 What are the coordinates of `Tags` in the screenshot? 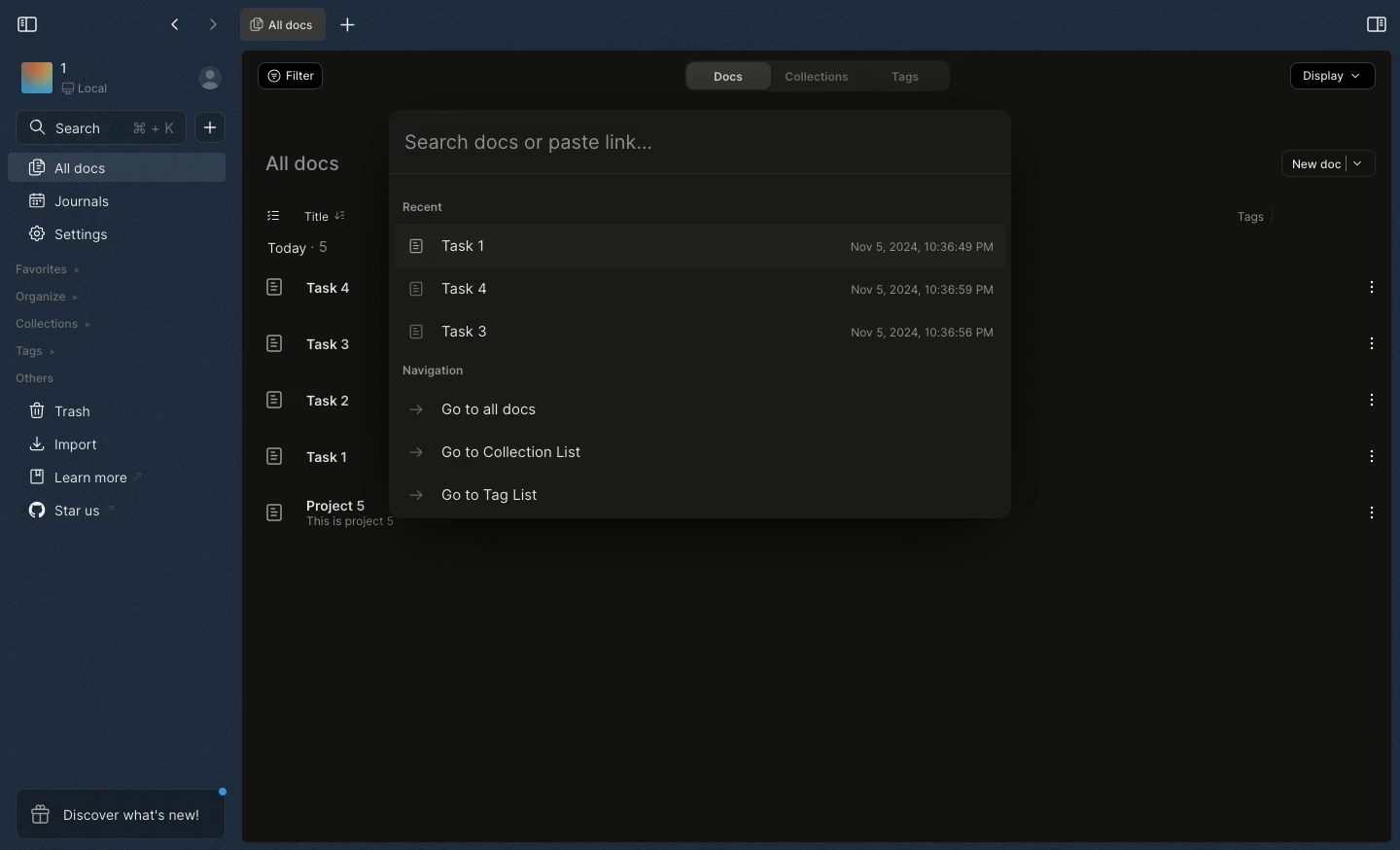 It's located at (1247, 215).